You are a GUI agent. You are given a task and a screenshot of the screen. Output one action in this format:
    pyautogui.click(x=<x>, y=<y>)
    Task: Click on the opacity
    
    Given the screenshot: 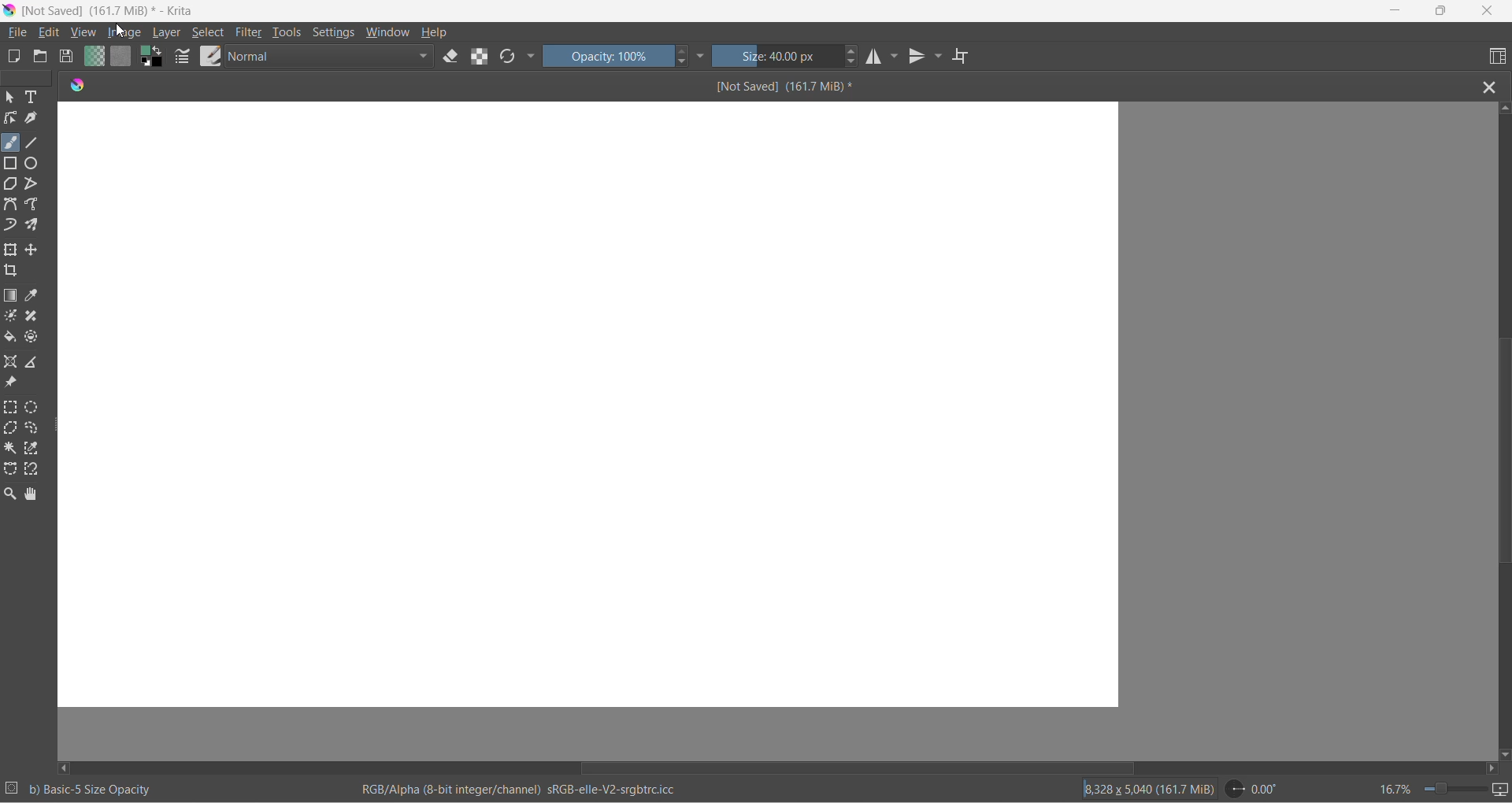 What is the action you would take?
    pyautogui.click(x=609, y=56)
    